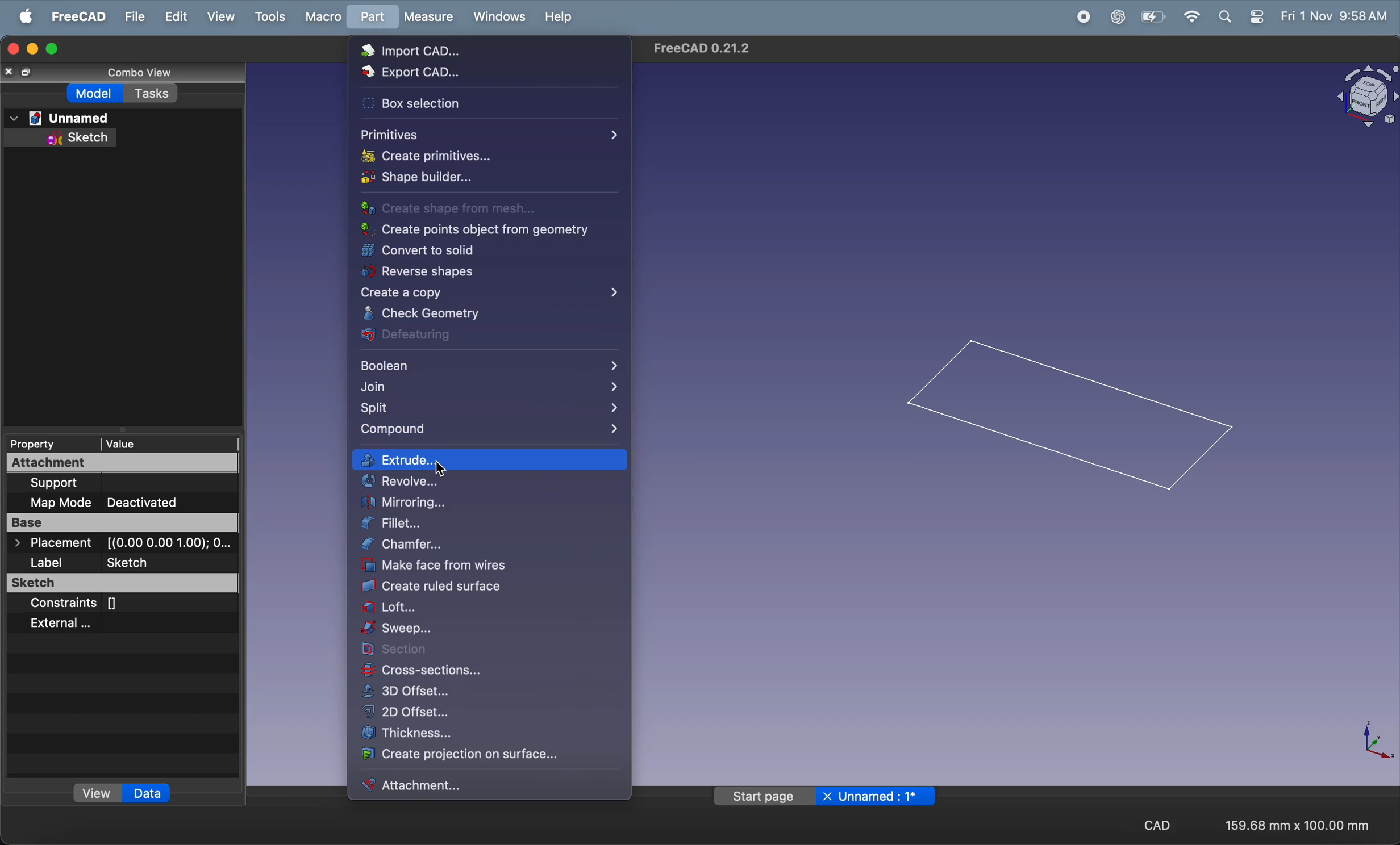 The image size is (1400, 845). Describe the element at coordinates (155, 444) in the screenshot. I see `value` at that location.